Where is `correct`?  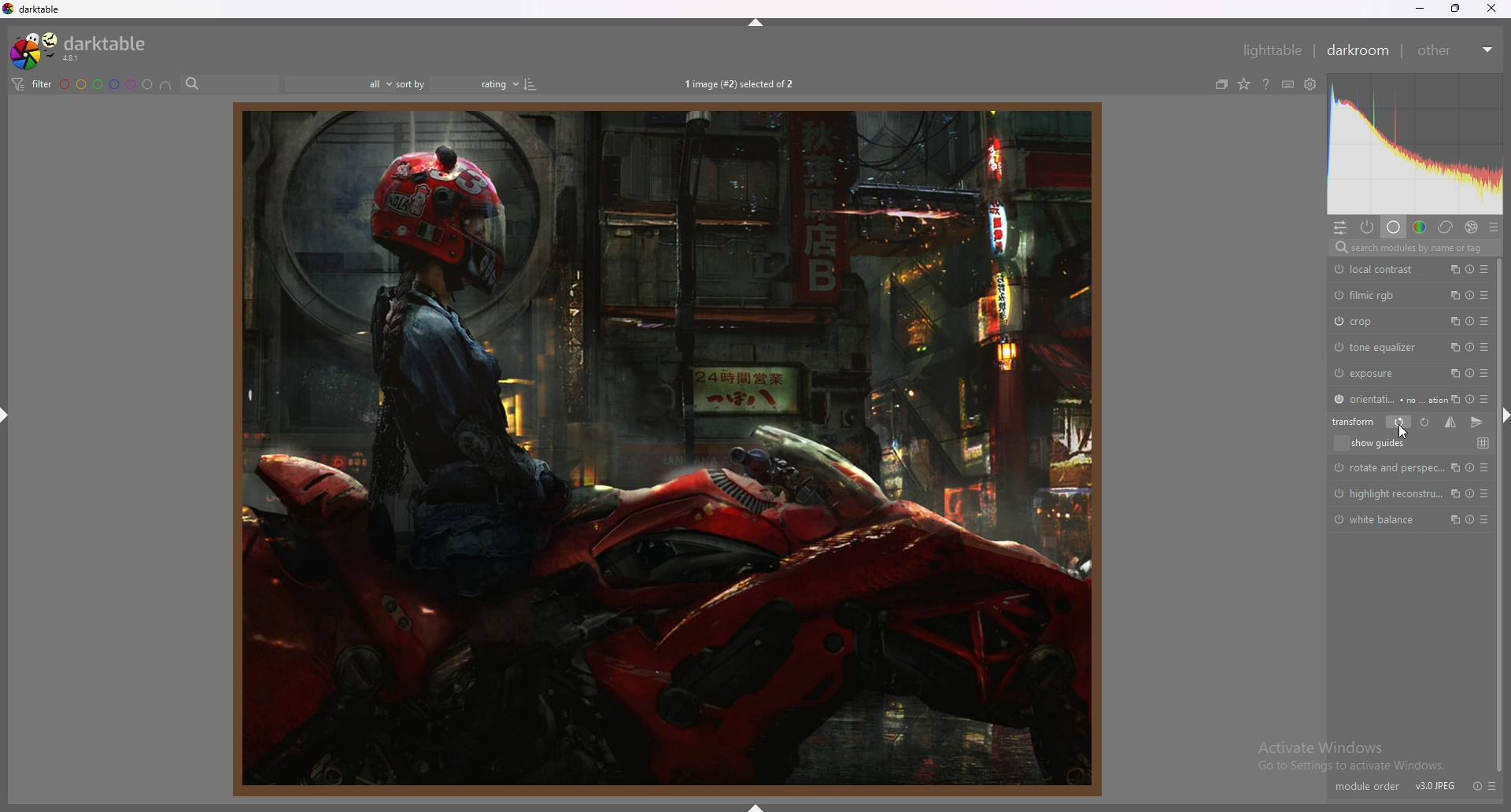 correct is located at coordinates (1446, 228).